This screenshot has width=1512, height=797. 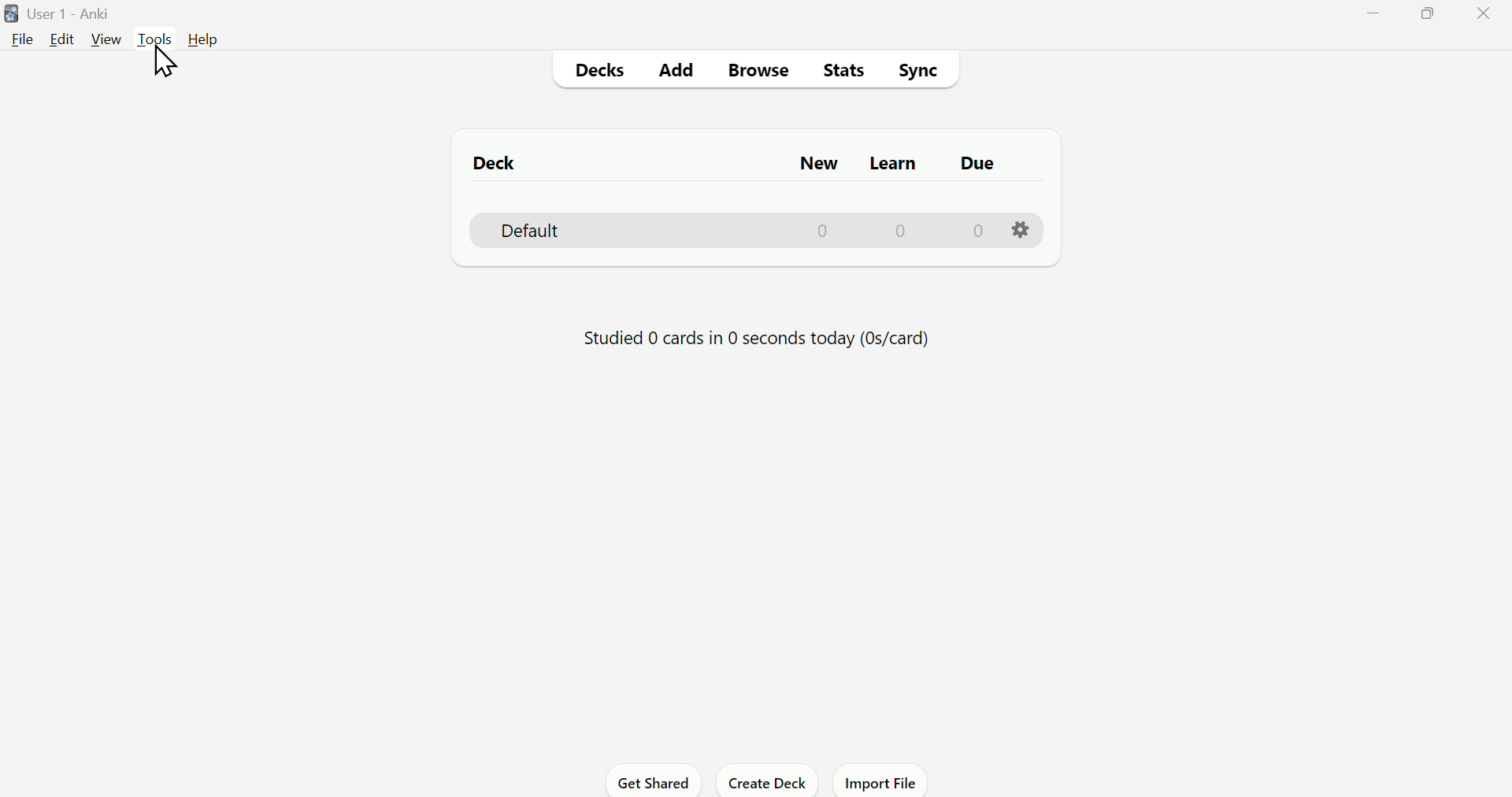 I want to click on Minimize, so click(x=1380, y=21).